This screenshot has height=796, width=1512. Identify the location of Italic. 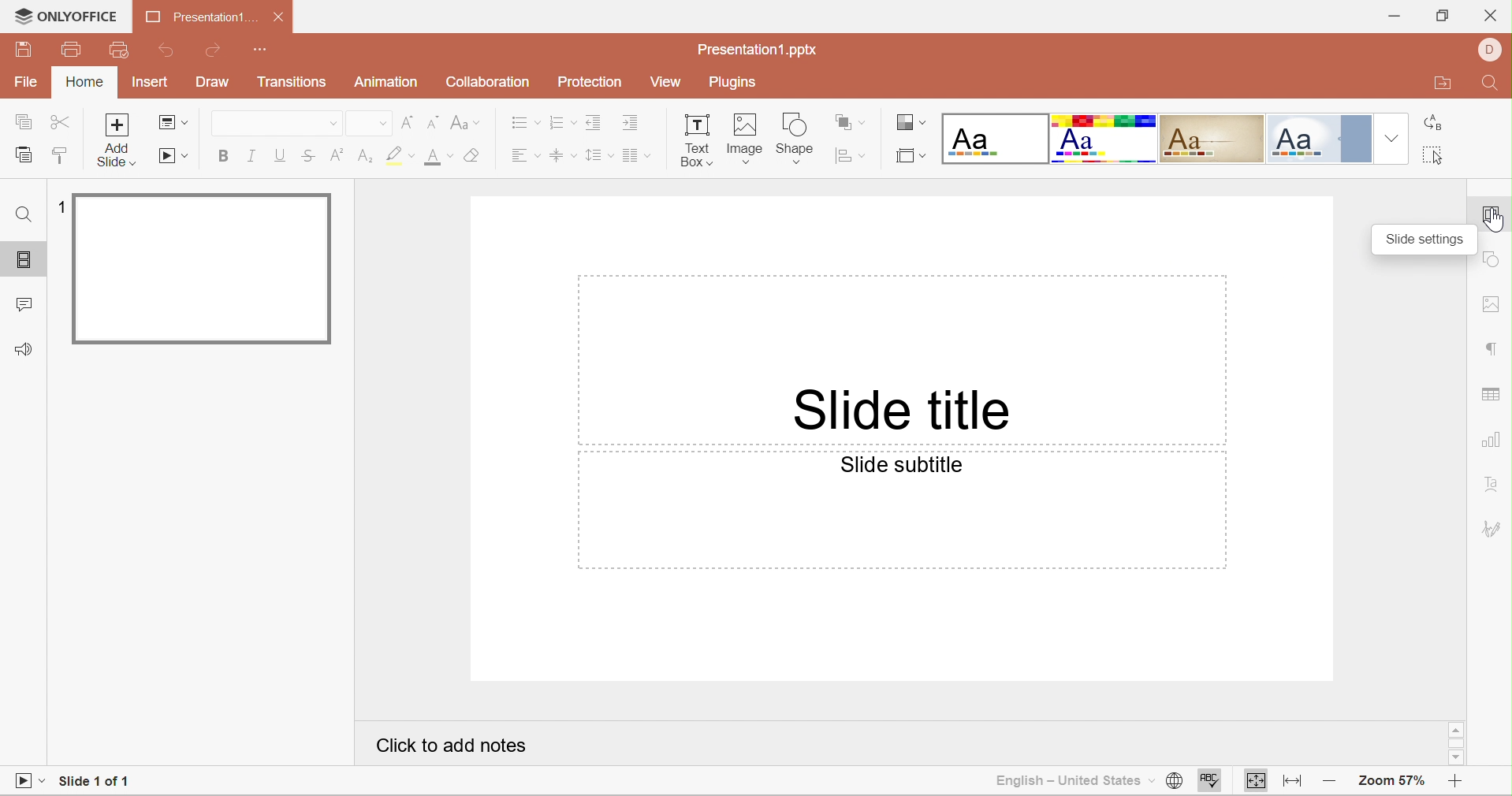
(253, 154).